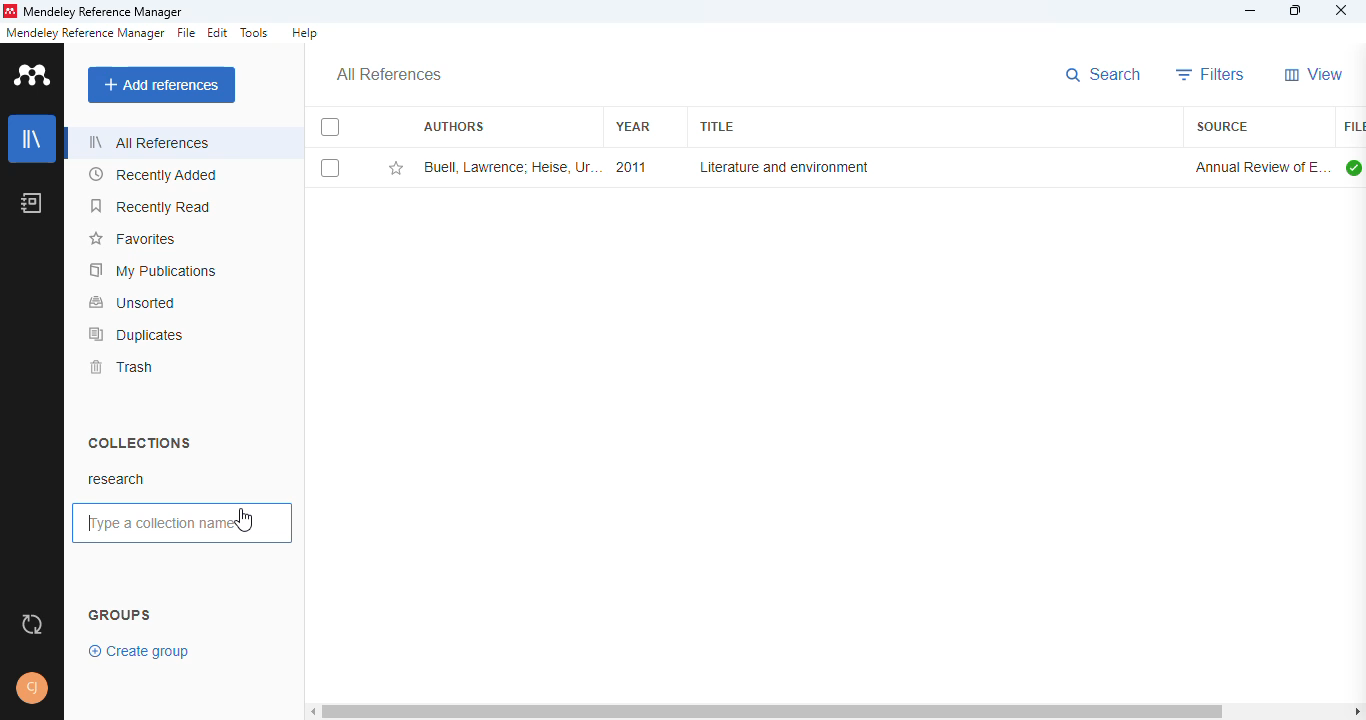 The height and width of the screenshot is (720, 1366). Describe the element at coordinates (1211, 74) in the screenshot. I see `filters` at that location.